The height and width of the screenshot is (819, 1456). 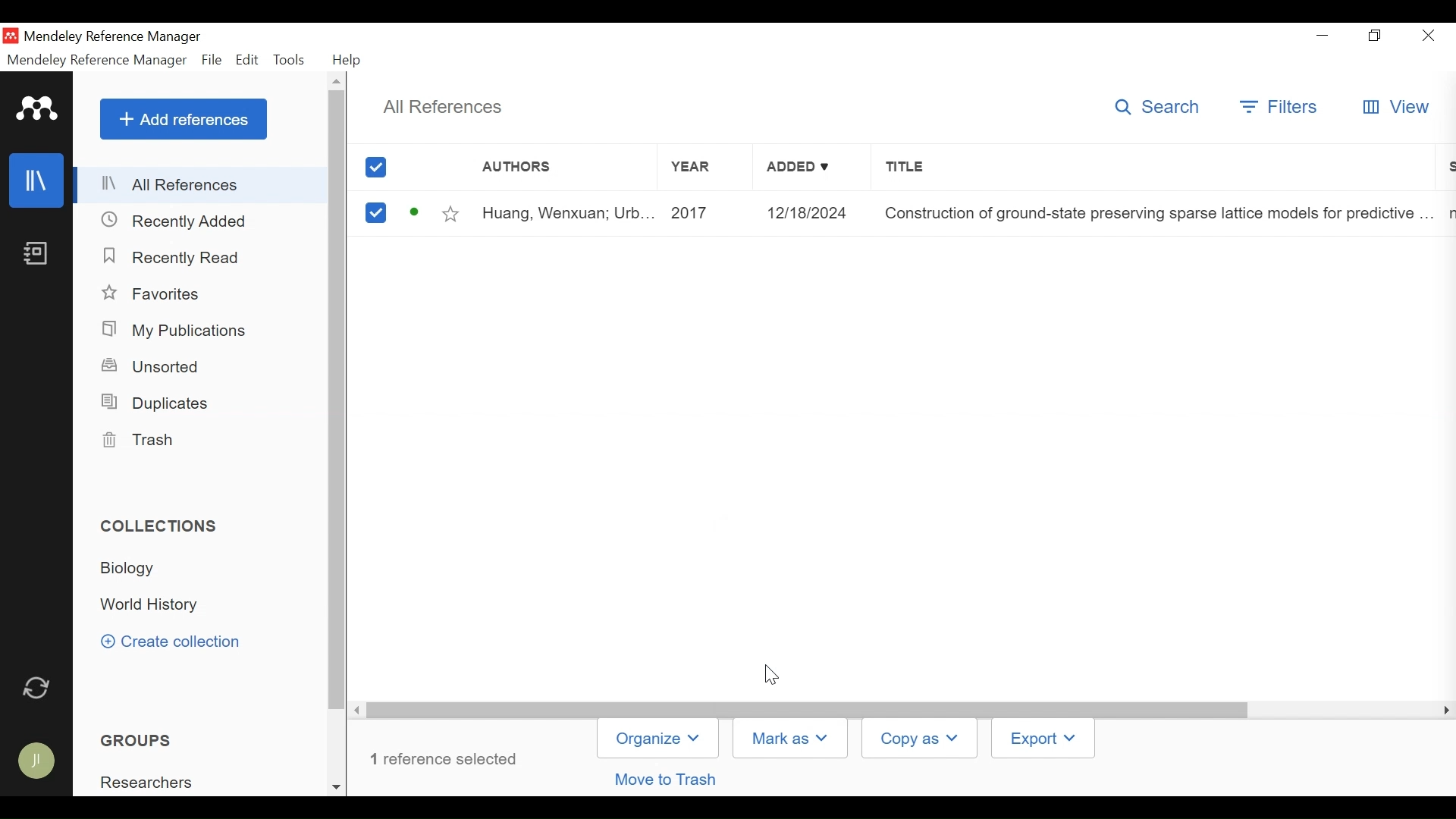 I want to click on Mendeley , so click(x=39, y=110).